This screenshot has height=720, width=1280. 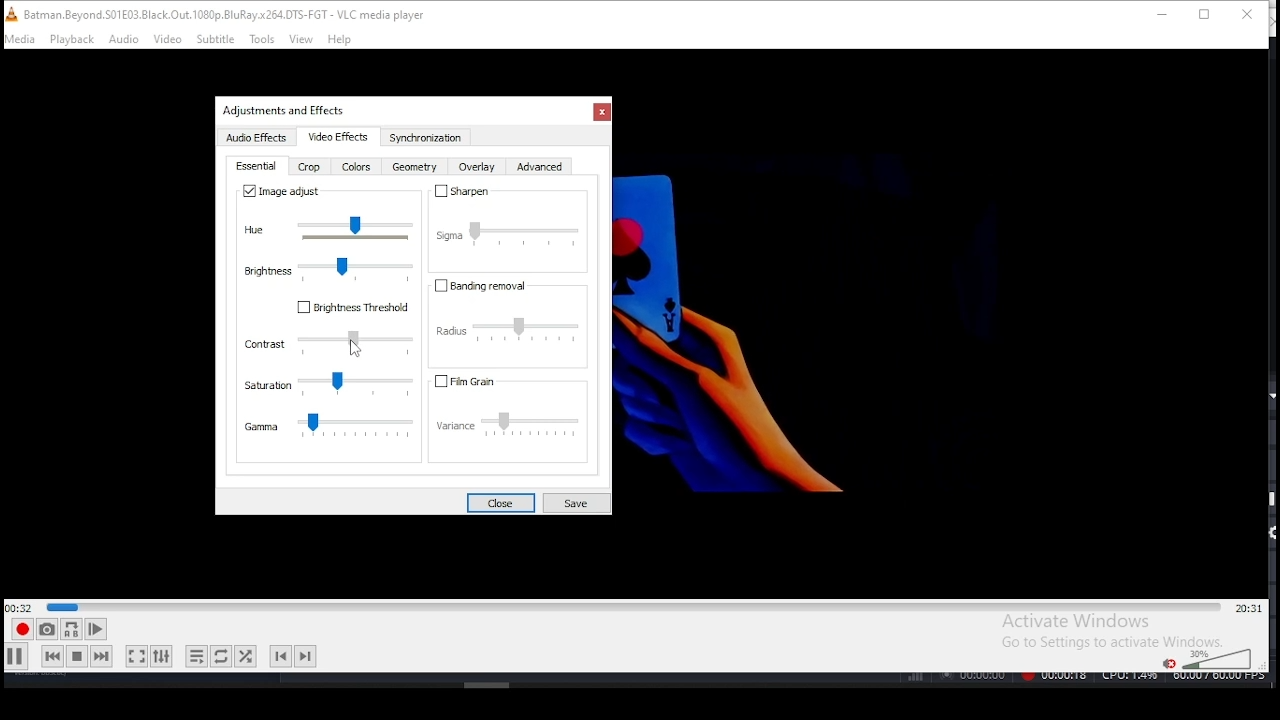 I want to click on radius settings slider, so click(x=513, y=329).